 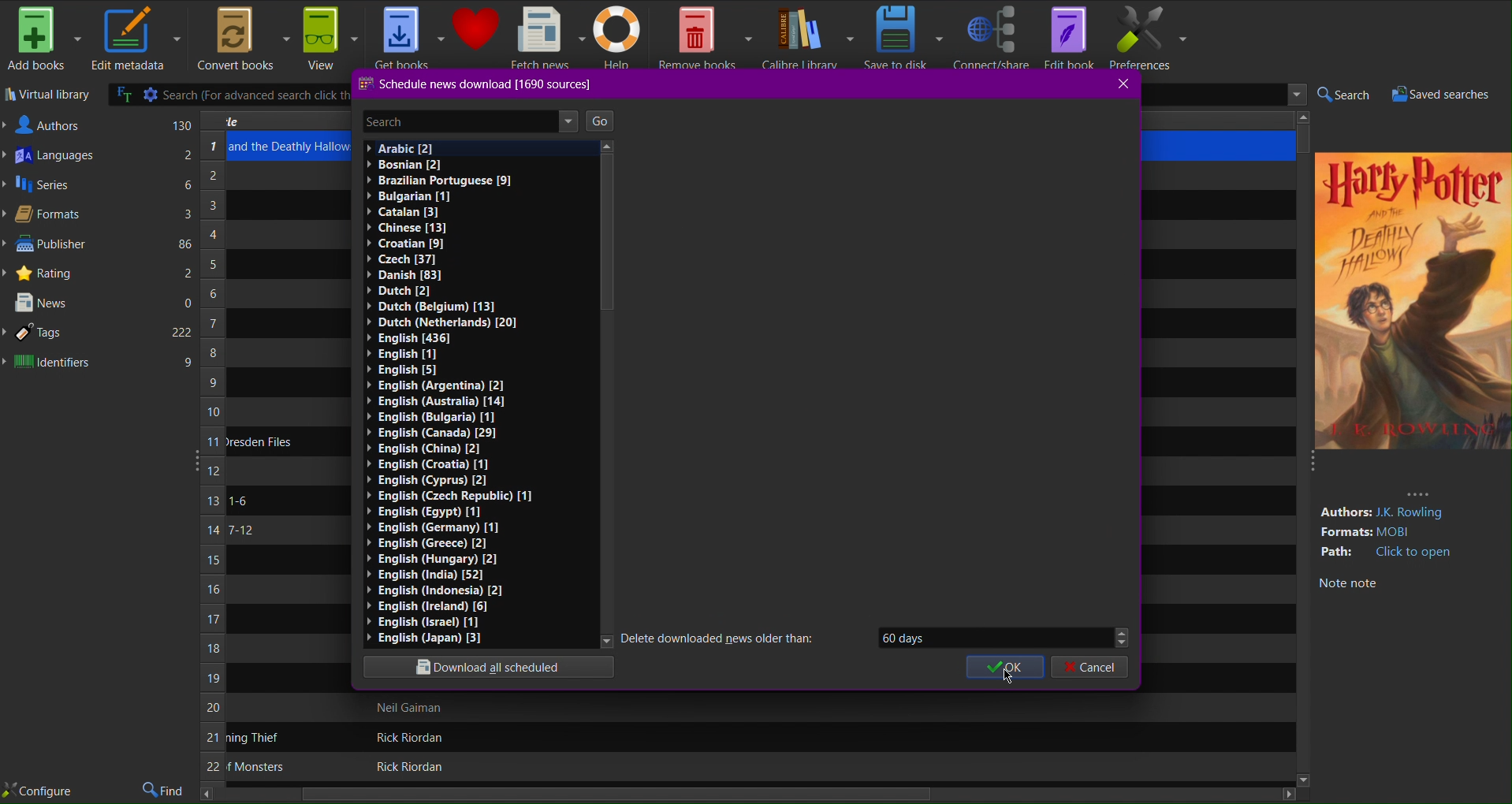 I want to click on english (Indonesia) [2], so click(x=434, y=590).